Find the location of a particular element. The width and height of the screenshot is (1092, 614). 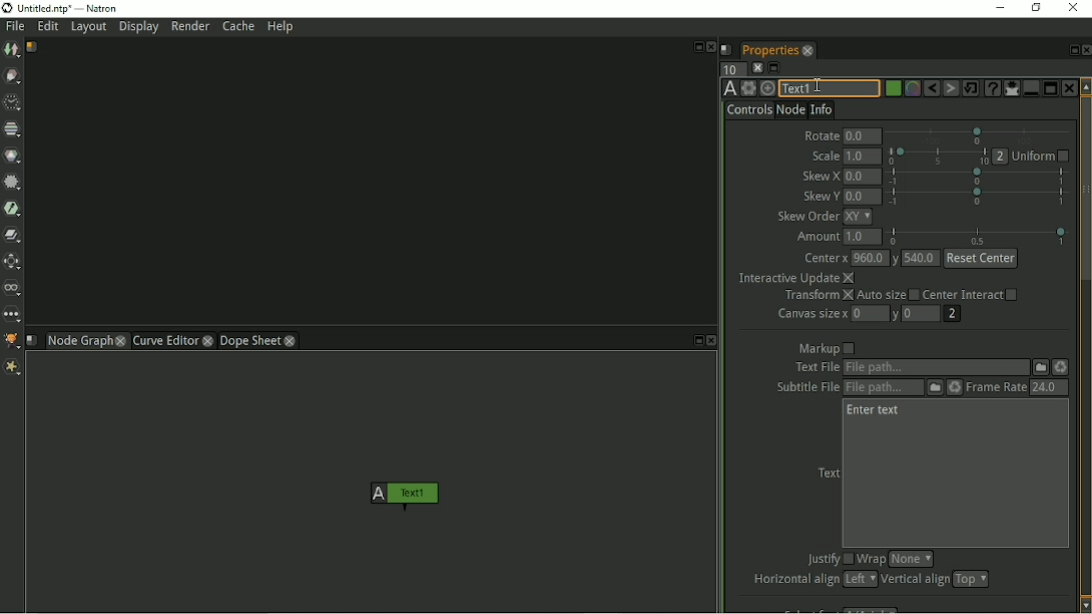

Undo is located at coordinates (931, 89).